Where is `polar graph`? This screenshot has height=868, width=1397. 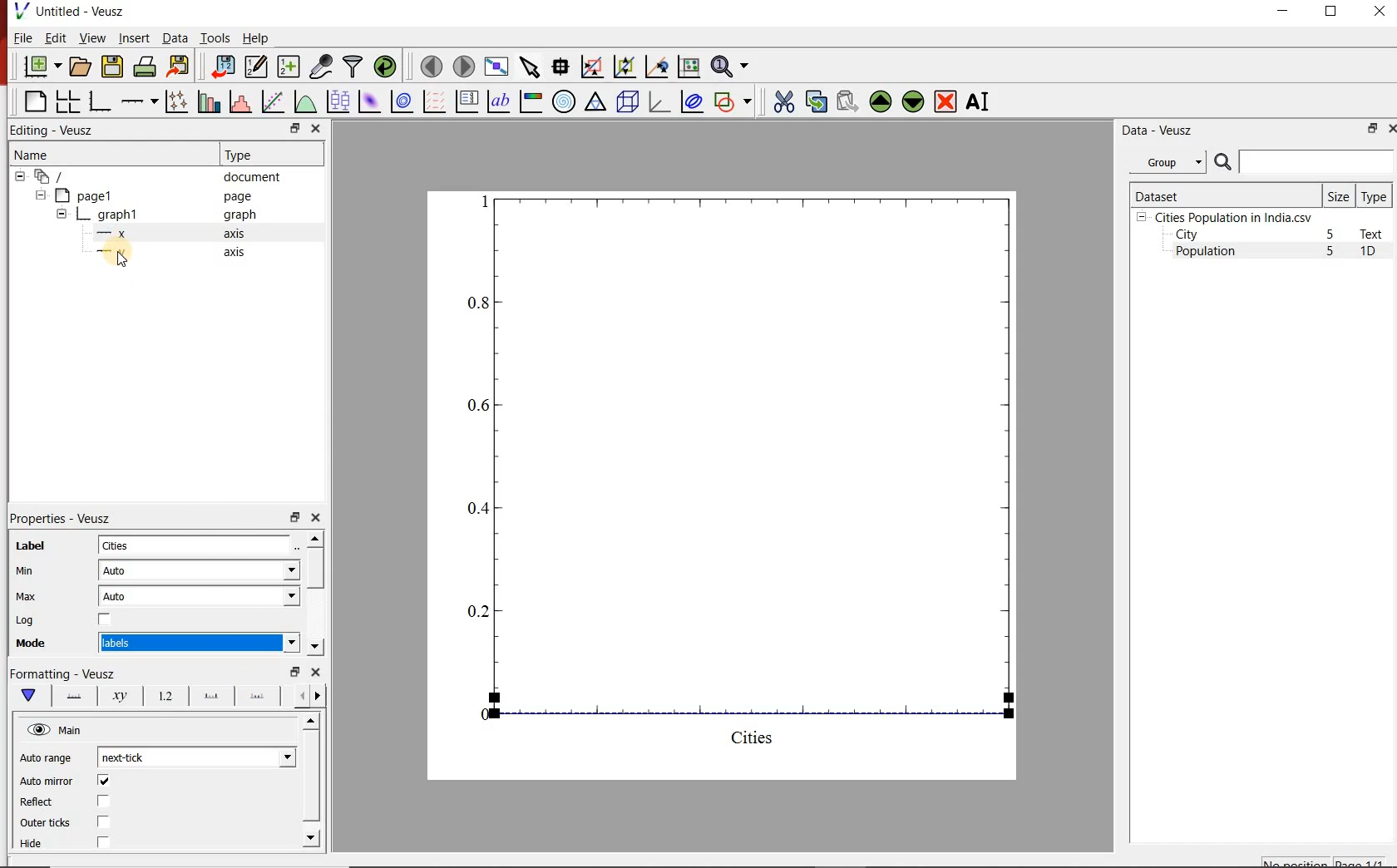 polar graph is located at coordinates (564, 101).